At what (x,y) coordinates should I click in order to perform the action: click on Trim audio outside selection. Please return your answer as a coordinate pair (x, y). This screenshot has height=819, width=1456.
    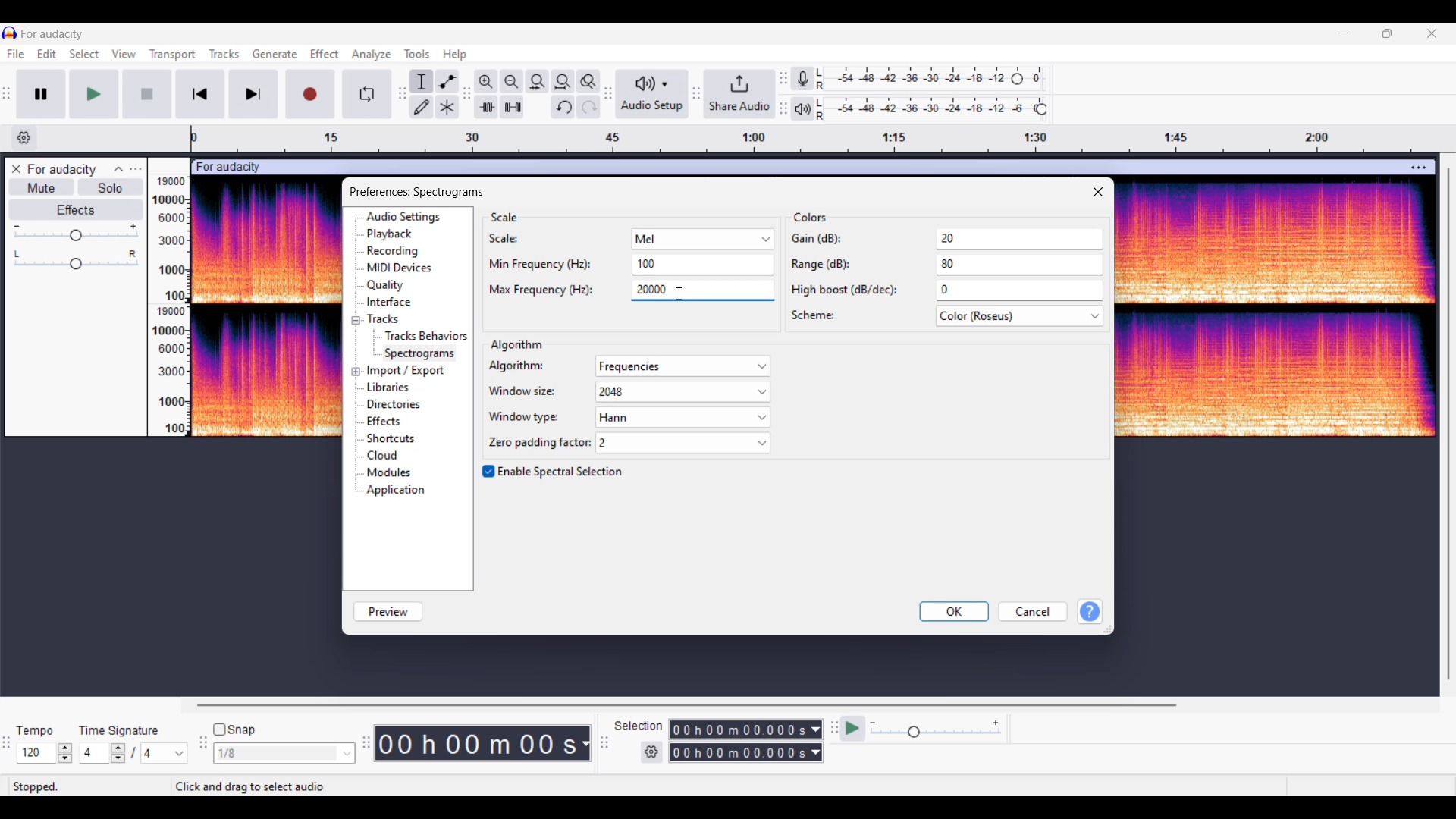
    Looking at the image, I should click on (486, 107).